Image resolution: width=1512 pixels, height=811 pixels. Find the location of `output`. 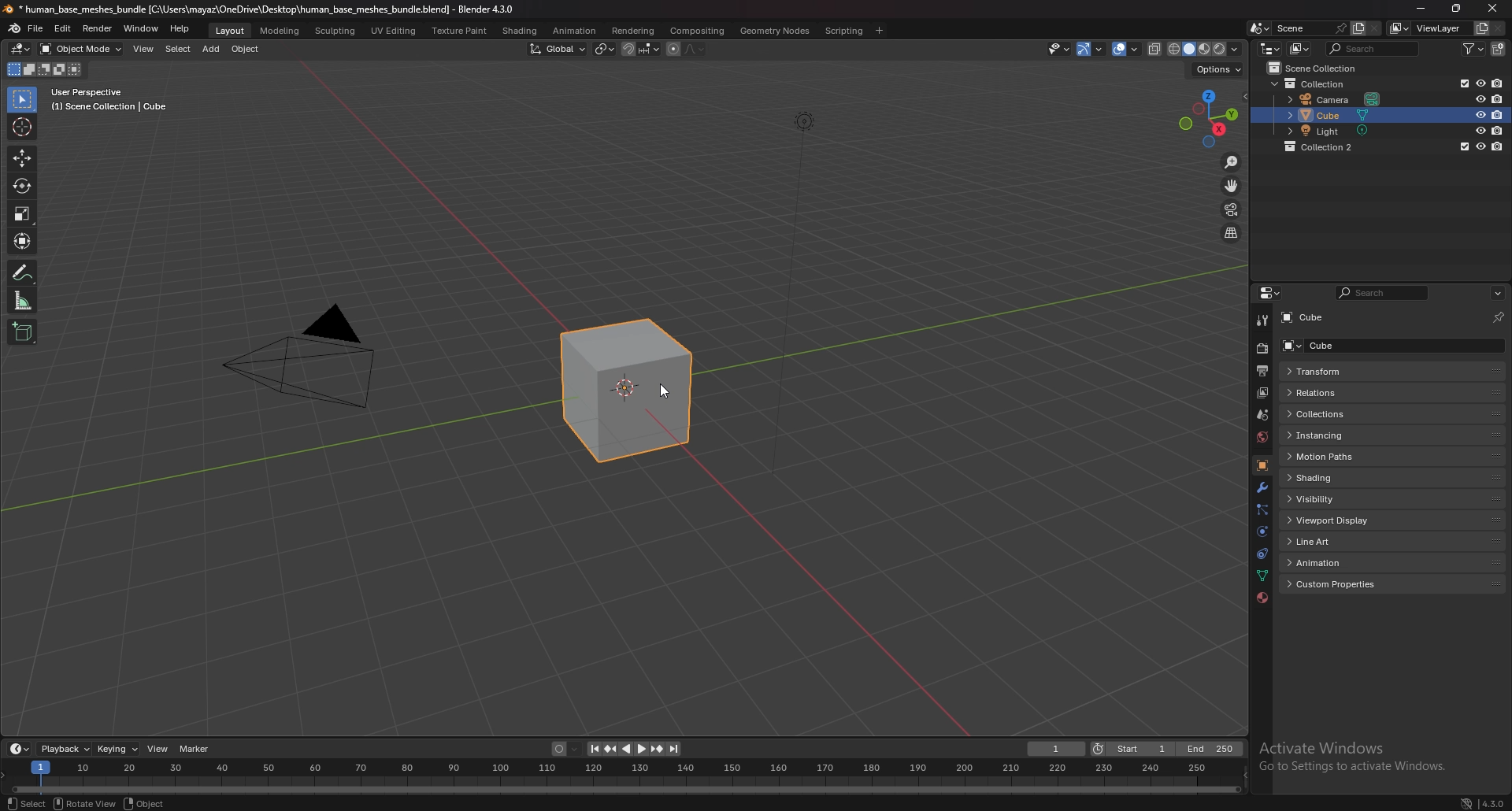

output is located at coordinates (1262, 372).